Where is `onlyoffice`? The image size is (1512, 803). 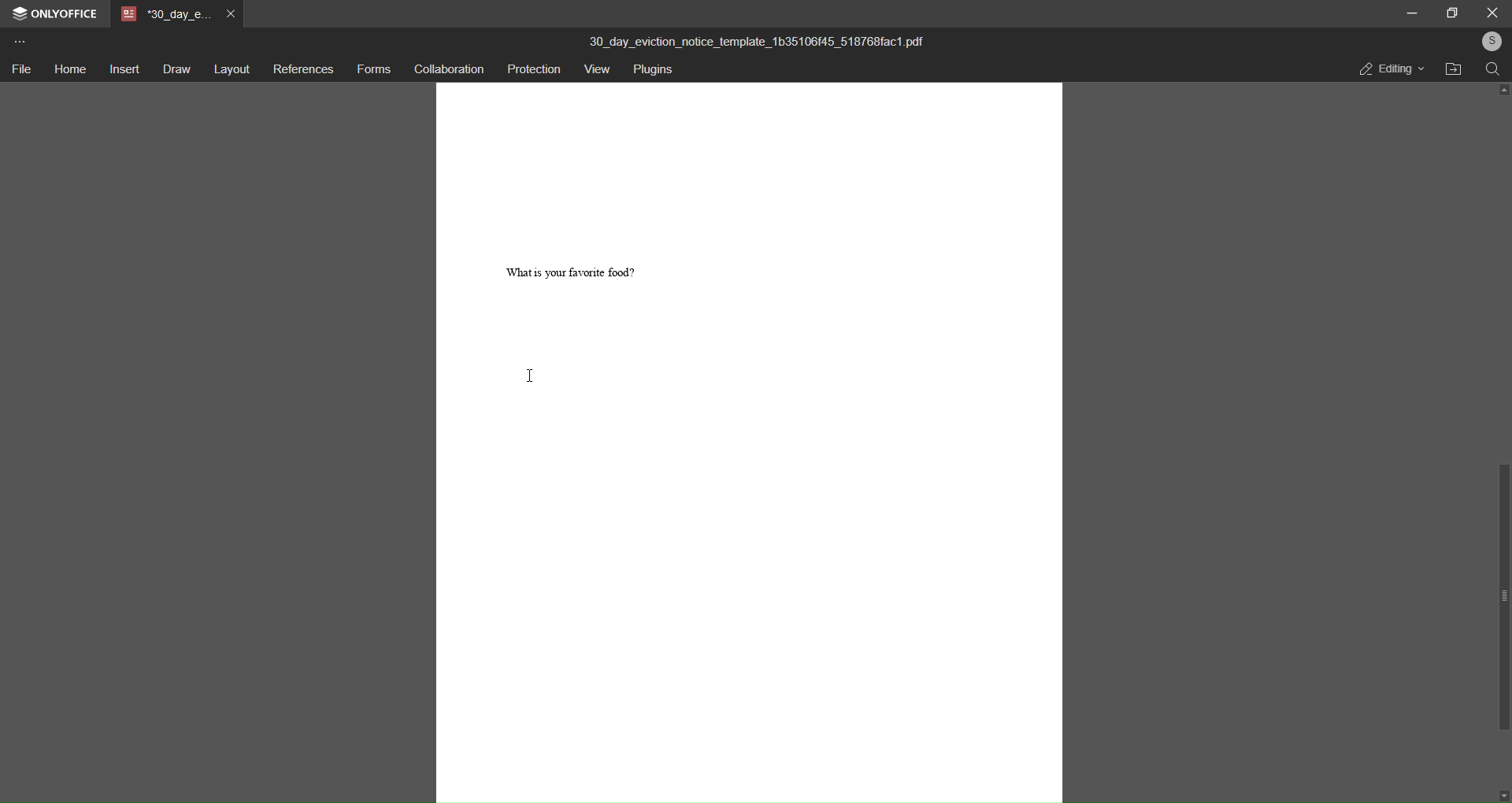
onlyoffice is located at coordinates (66, 14).